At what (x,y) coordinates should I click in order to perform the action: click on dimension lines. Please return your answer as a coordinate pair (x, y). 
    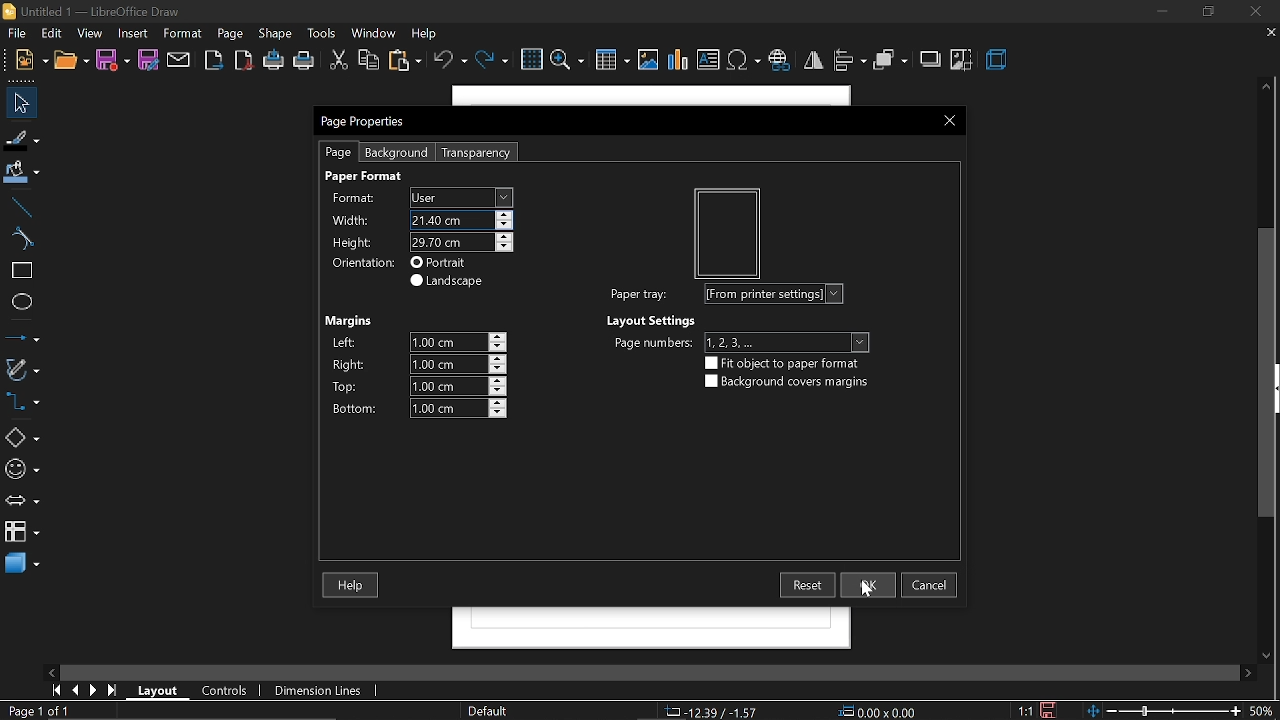
    Looking at the image, I should click on (316, 690).